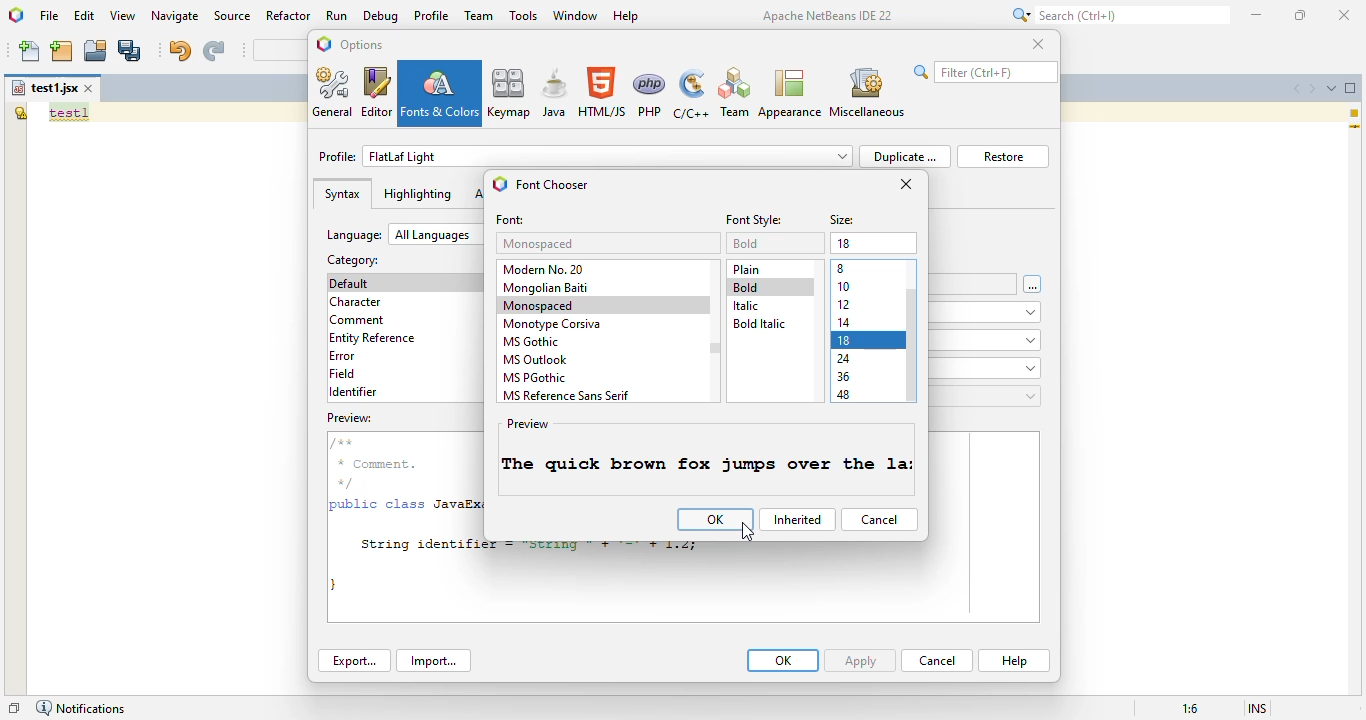  I want to click on maximize window, so click(1351, 88).